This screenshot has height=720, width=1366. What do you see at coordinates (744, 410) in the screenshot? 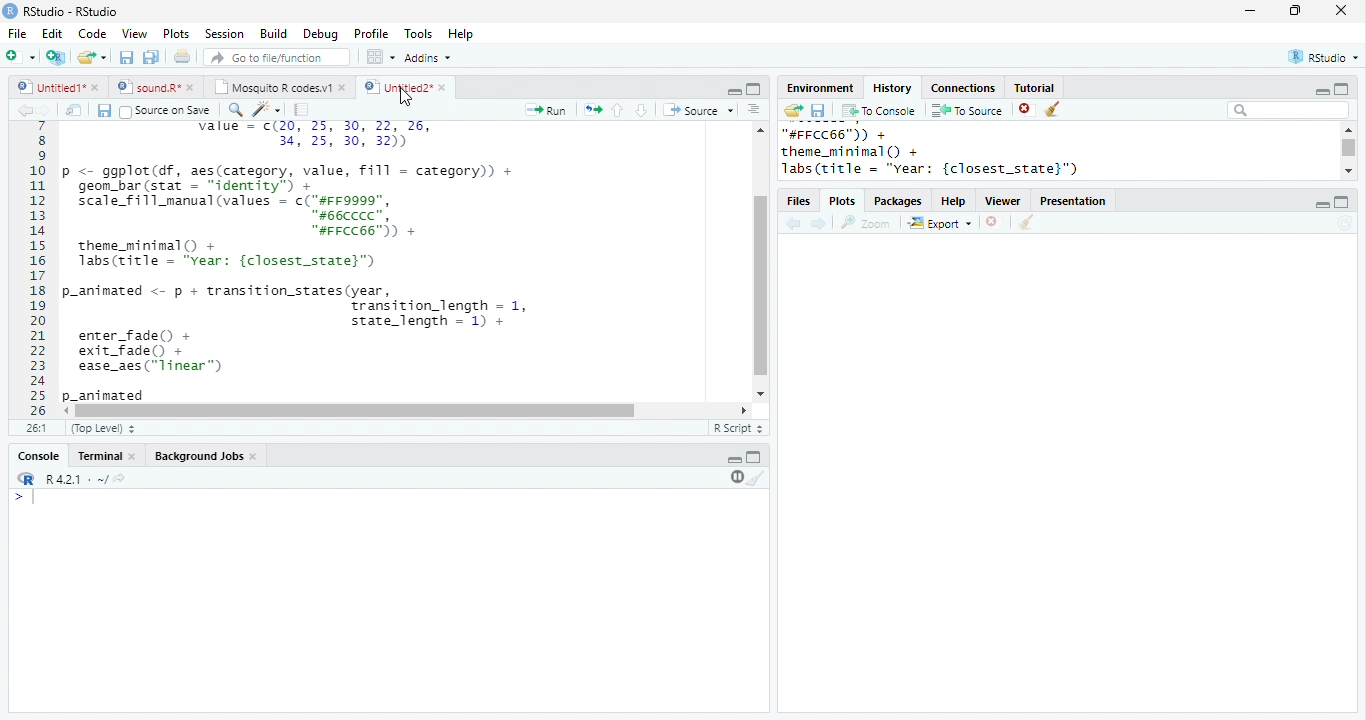
I see `scroll left` at bounding box center [744, 410].